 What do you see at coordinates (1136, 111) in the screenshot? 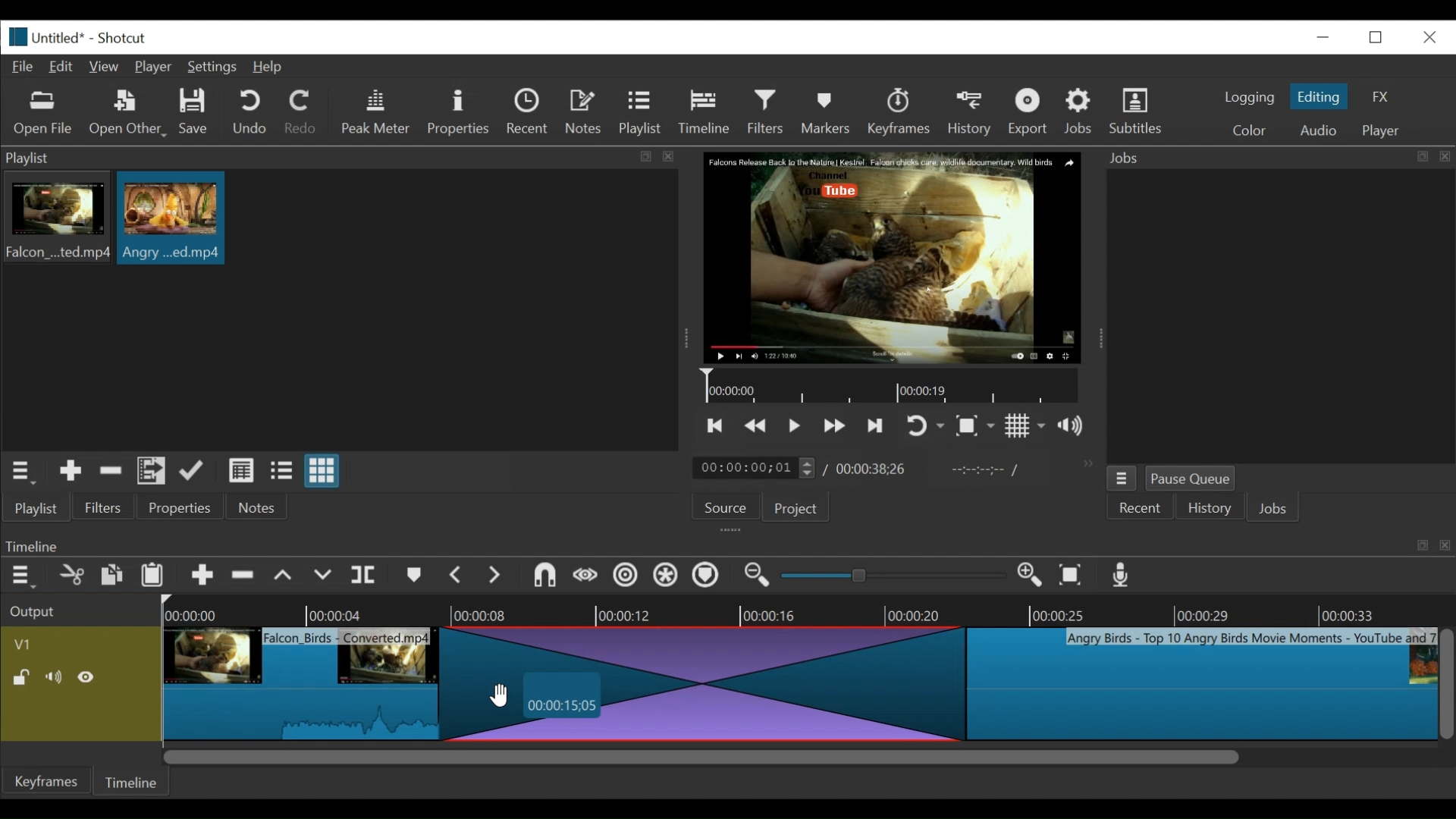
I see `Subtitles` at bounding box center [1136, 111].